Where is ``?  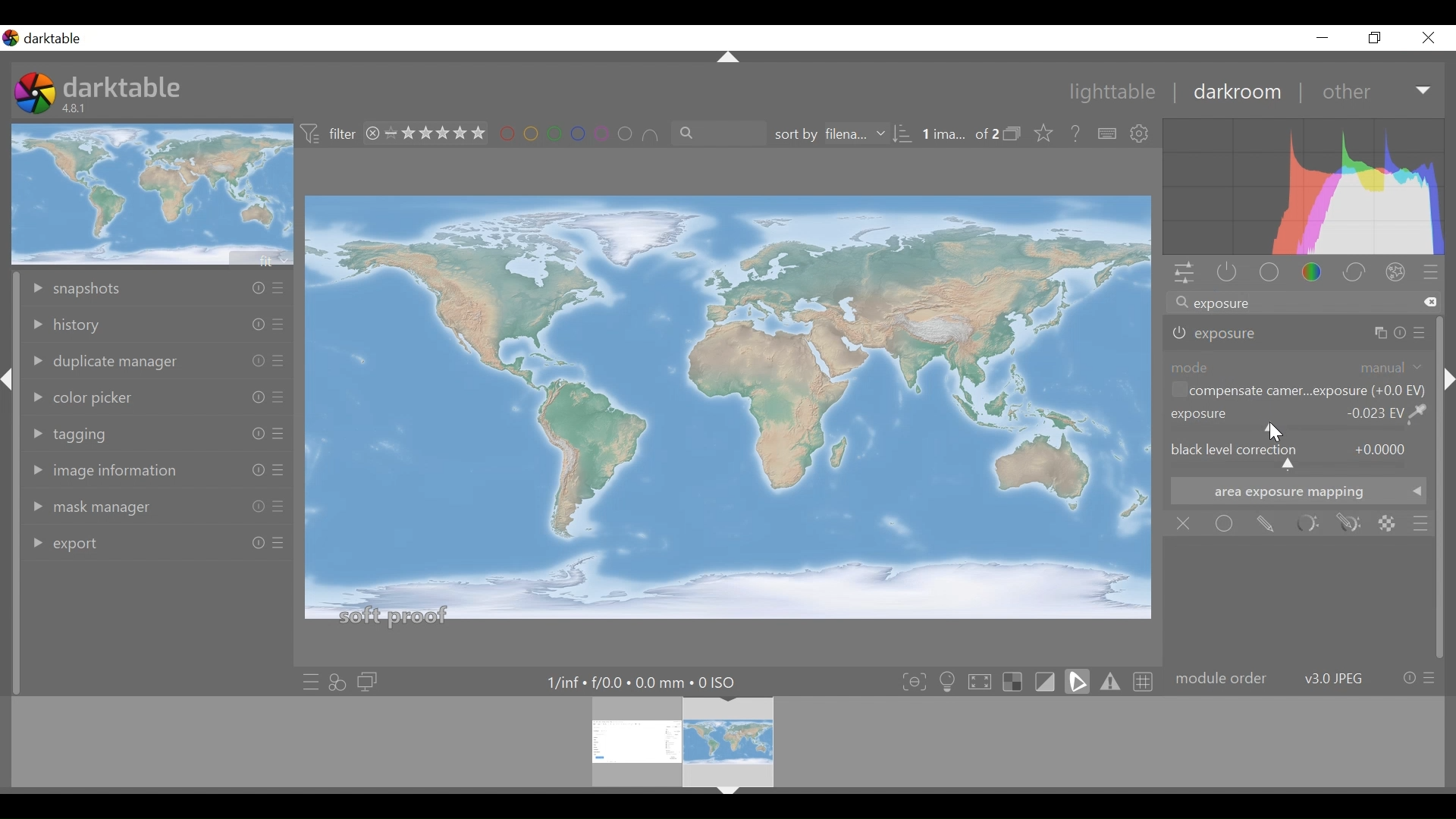
 is located at coordinates (1448, 402).